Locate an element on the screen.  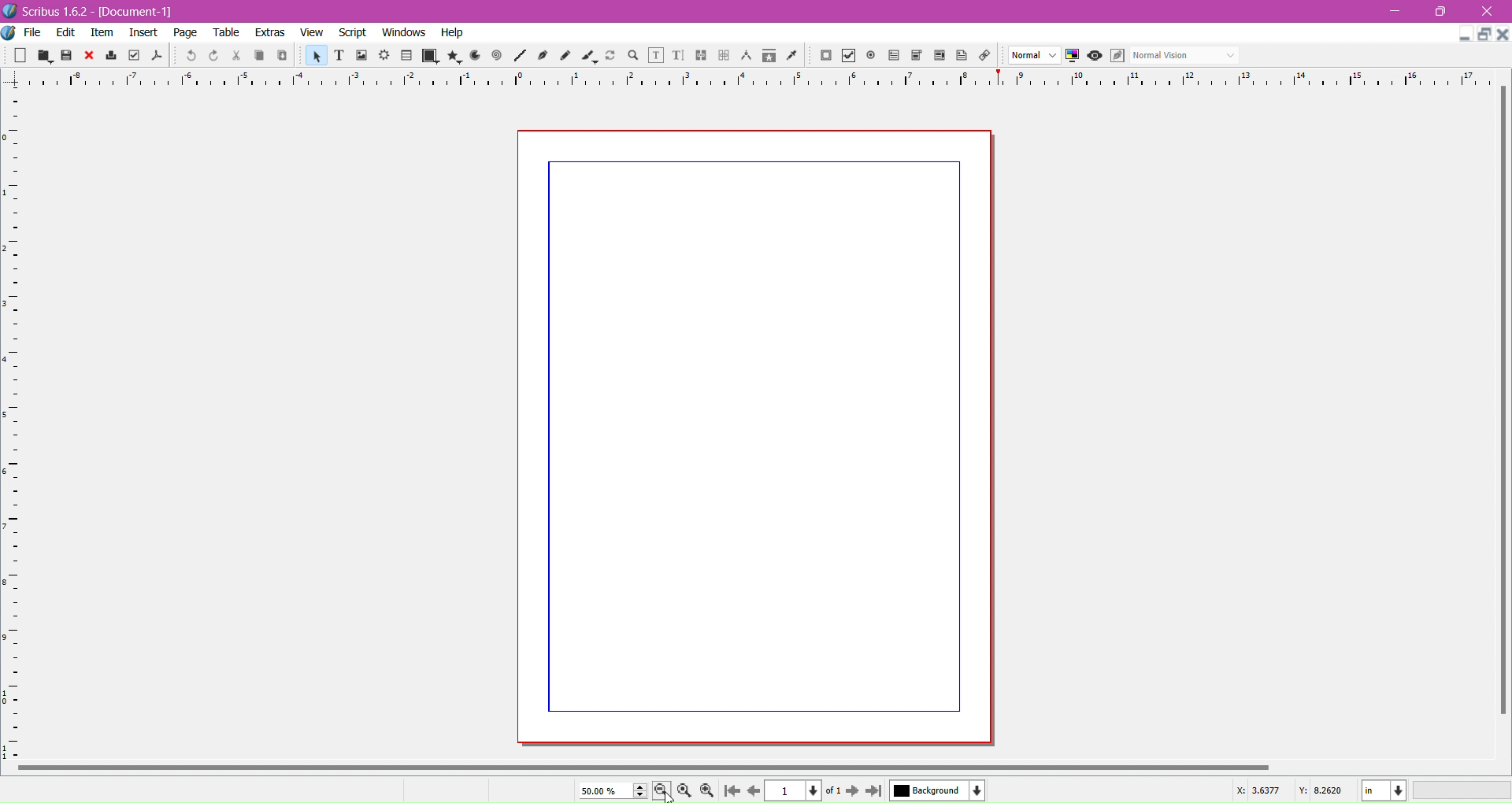
Windows is located at coordinates (404, 32).